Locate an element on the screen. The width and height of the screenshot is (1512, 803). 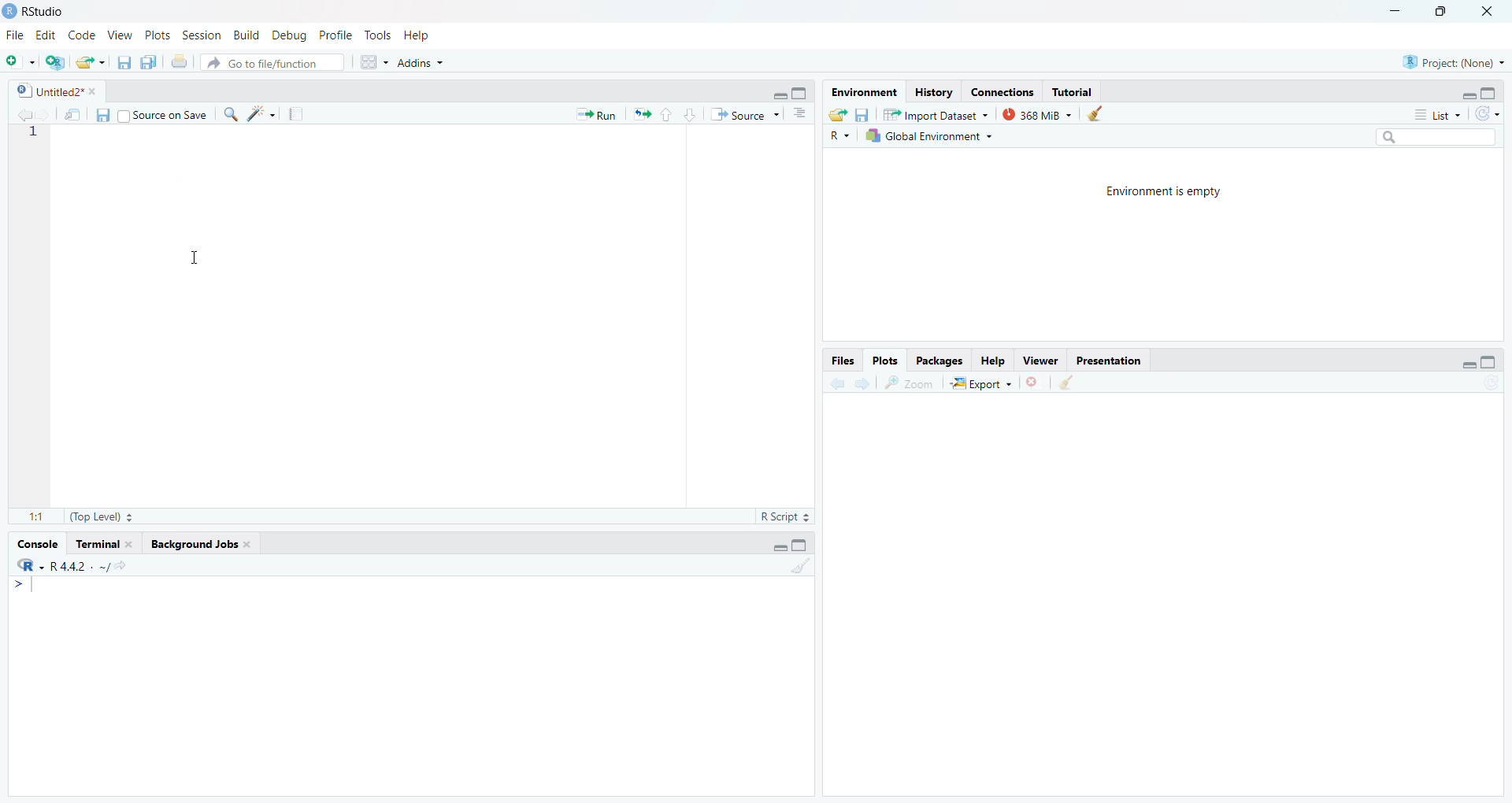
save is located at coordinates (865, 115).